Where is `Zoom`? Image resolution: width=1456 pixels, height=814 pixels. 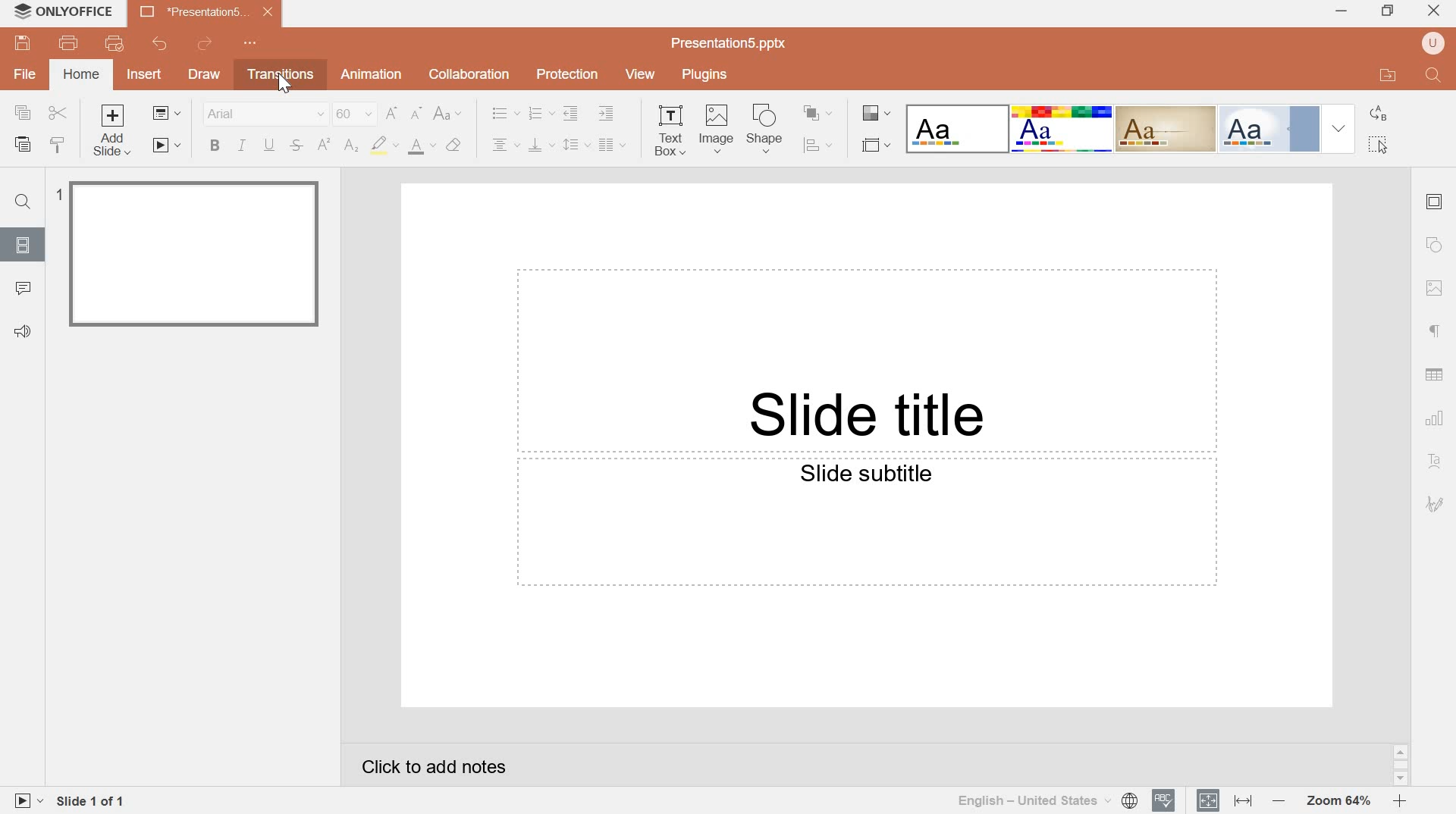
Zoom is located at coordinates (1337, 802).